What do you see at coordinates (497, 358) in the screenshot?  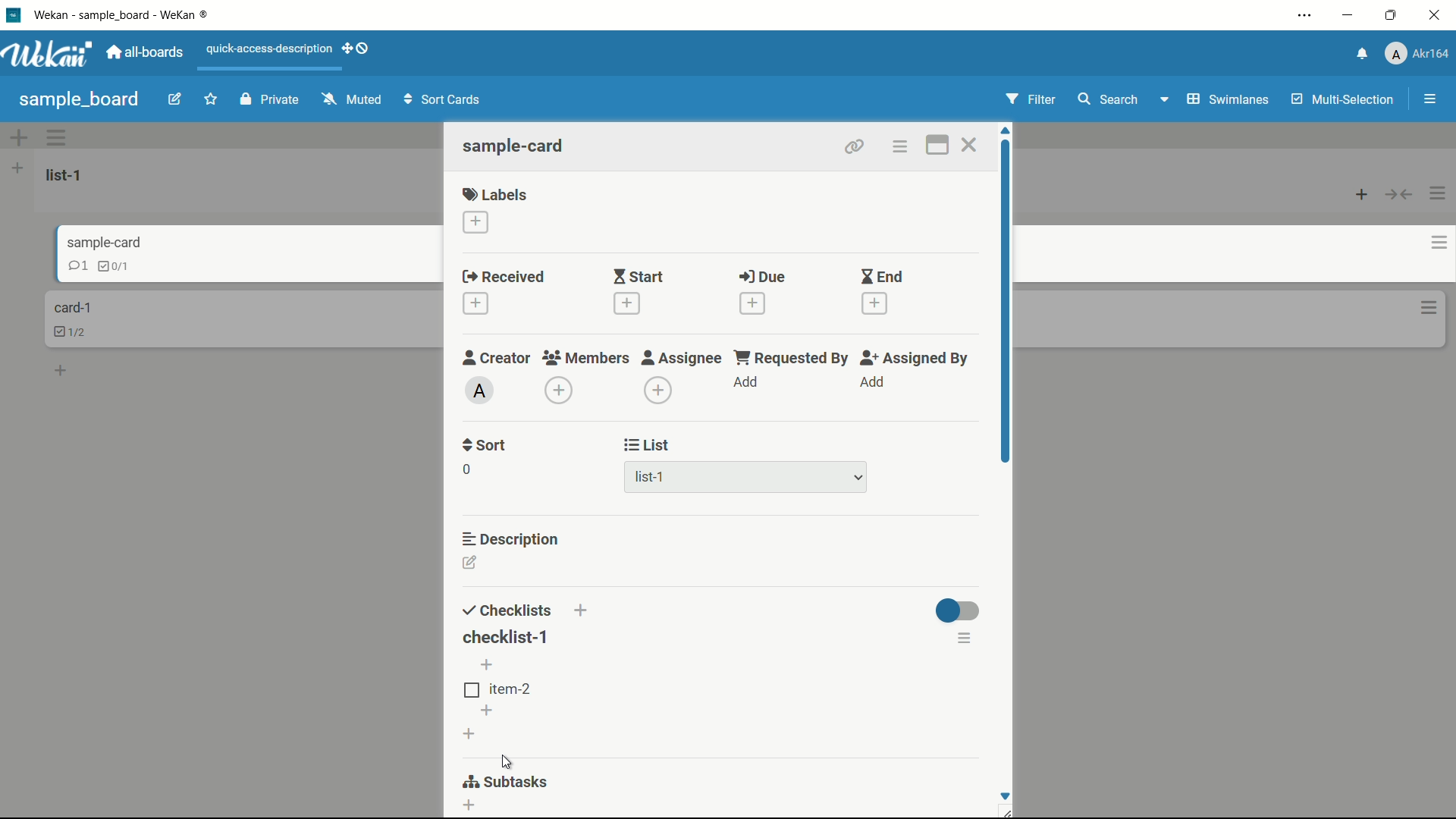 I see `creator` at bounding box center [497, 358].